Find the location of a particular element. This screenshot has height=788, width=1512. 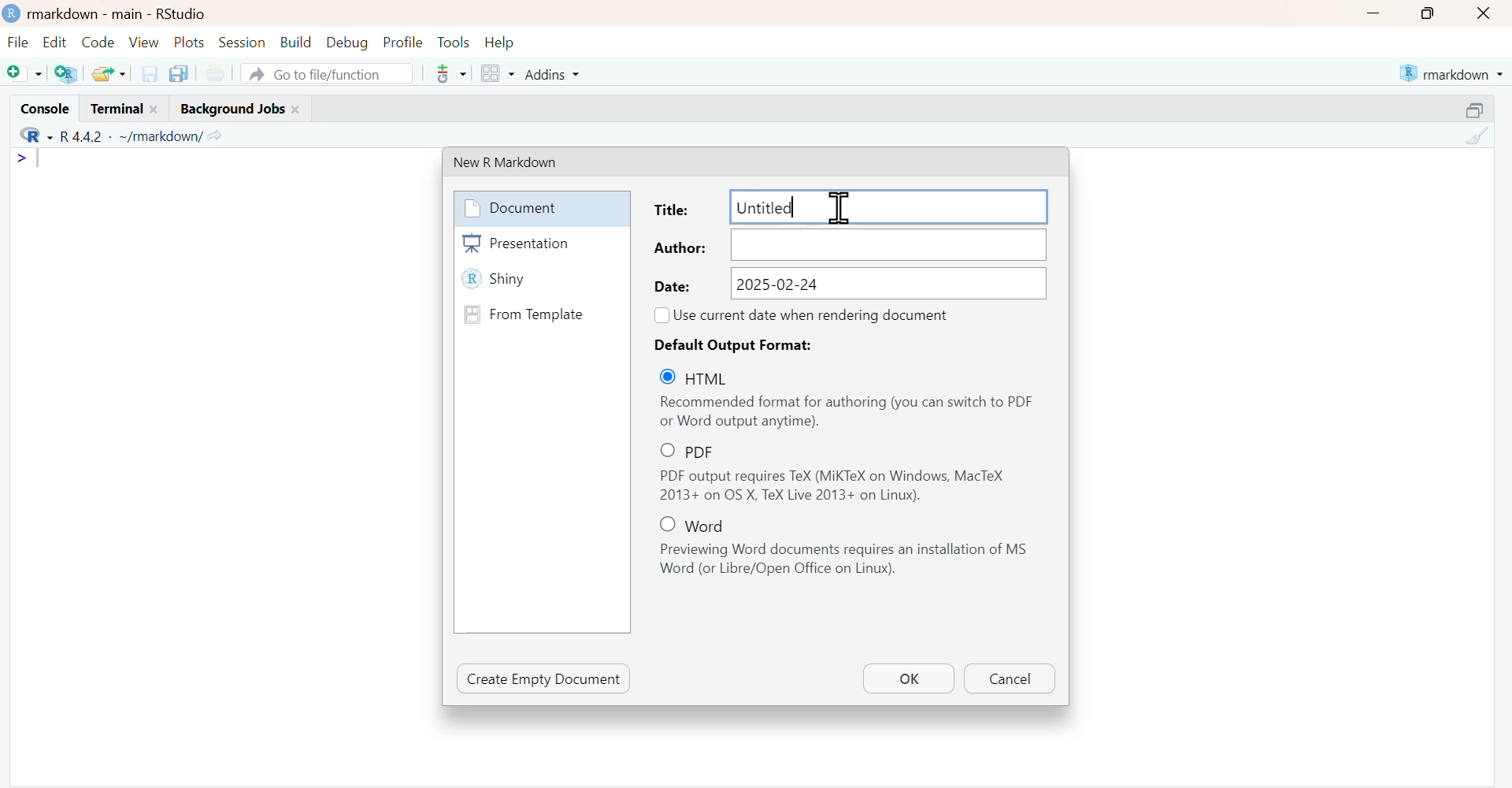

print the current file is located at coordinates (215, 74).